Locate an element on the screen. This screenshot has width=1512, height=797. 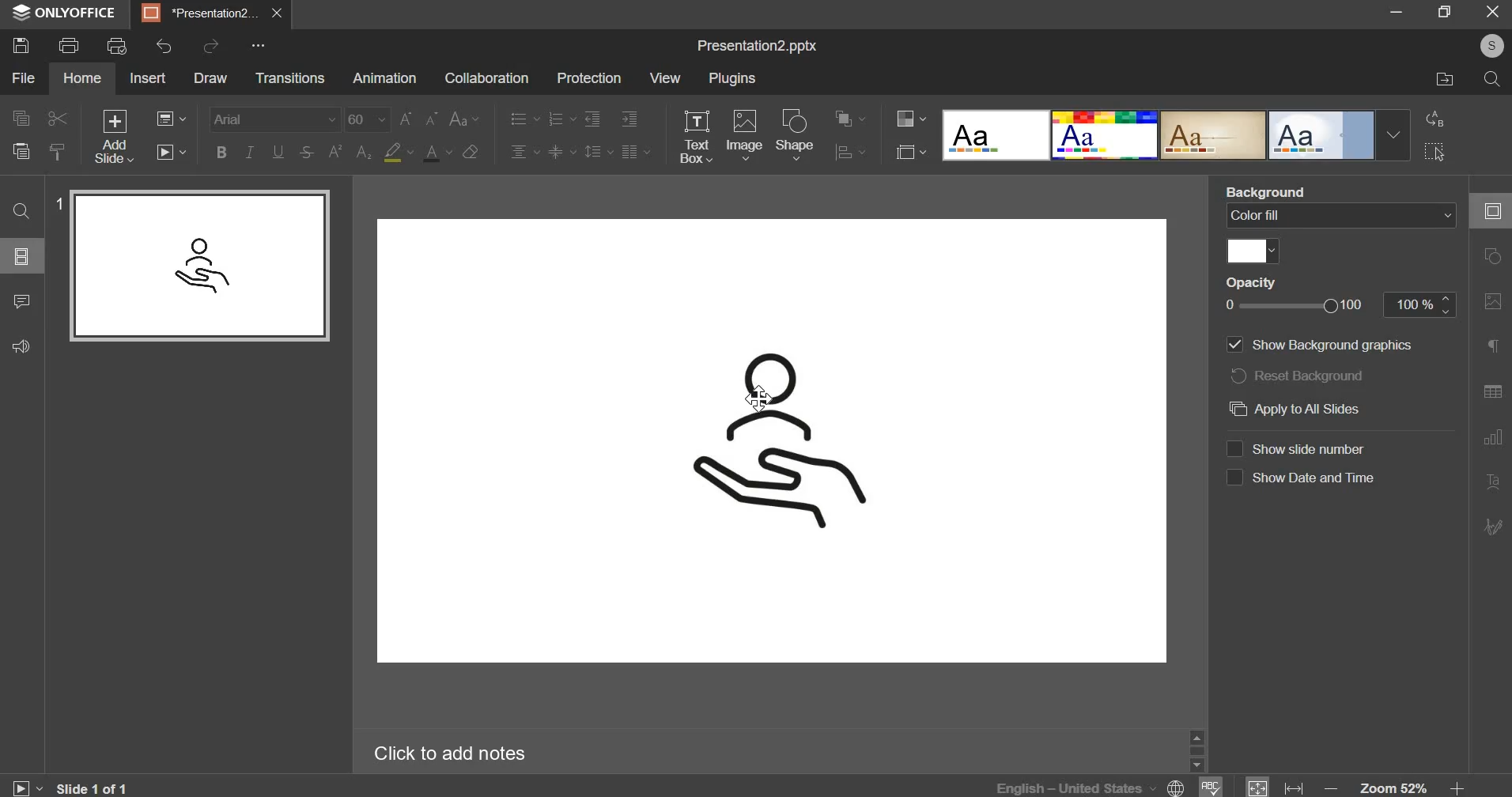
replace is located at coordinates (1435, 120).